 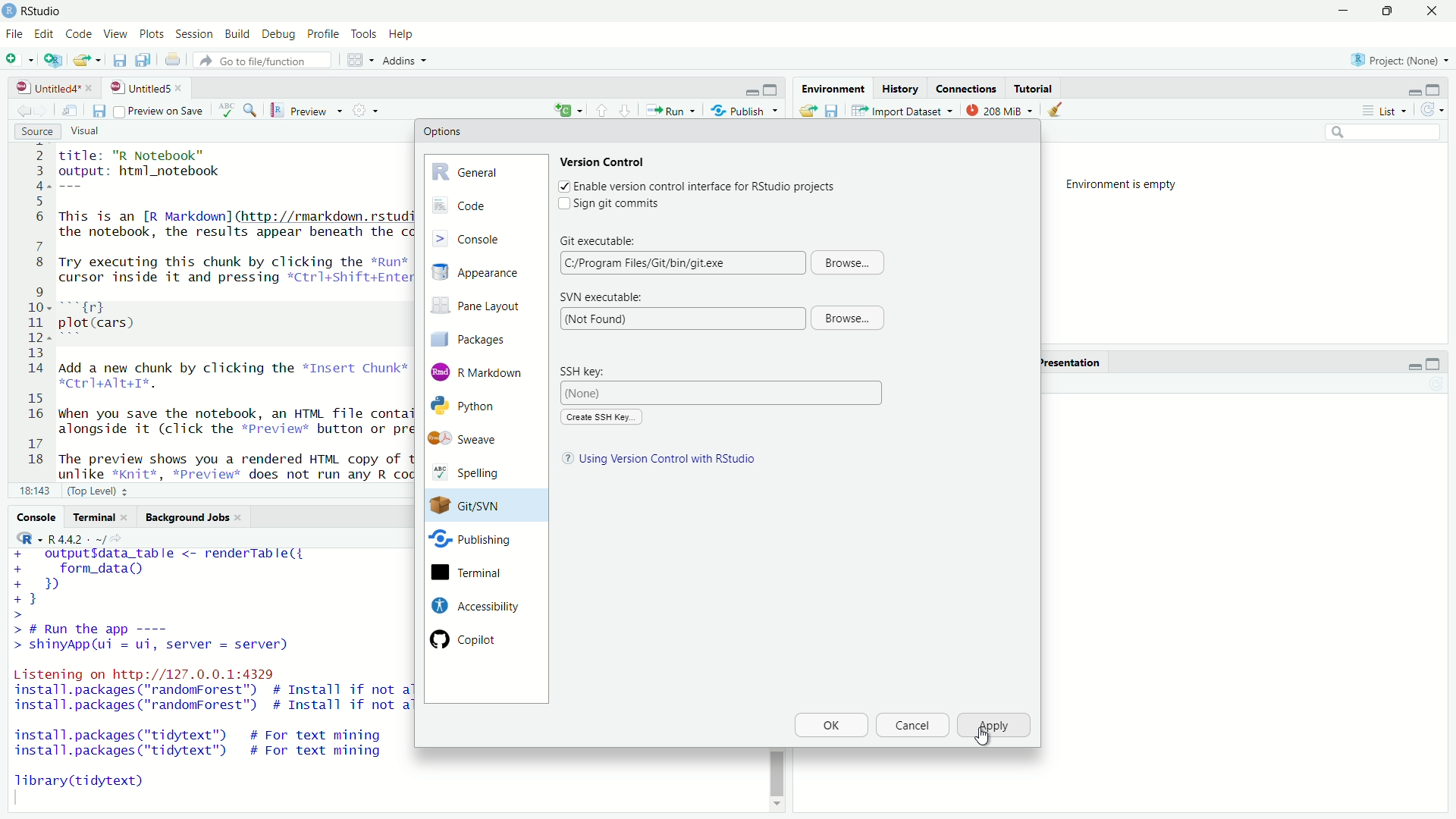 What do you see at coordinates (775, 808) in the screenshot?
I see `scrollbar down` at bounding box center [775, 808].